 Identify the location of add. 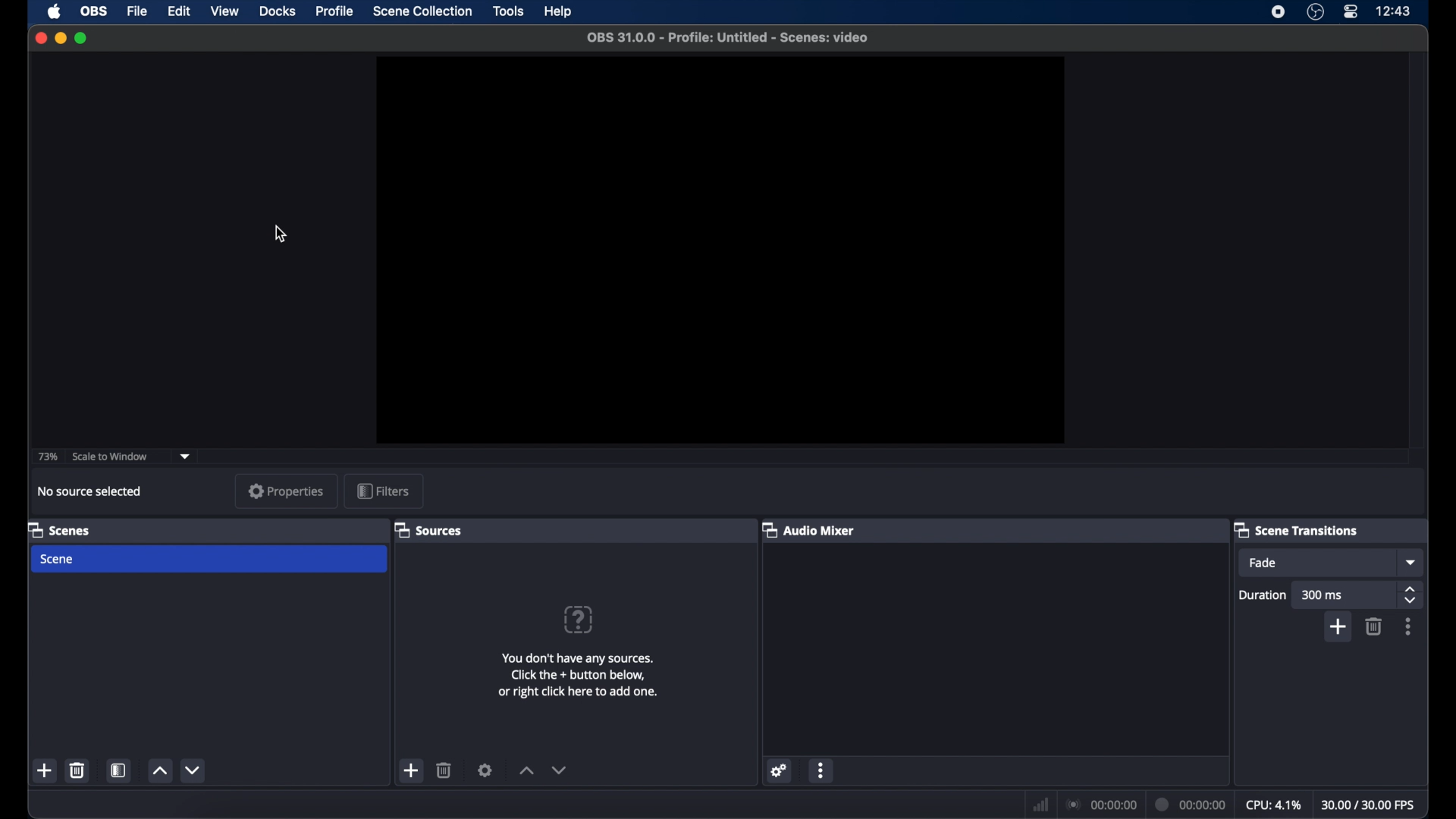
(409, 771).